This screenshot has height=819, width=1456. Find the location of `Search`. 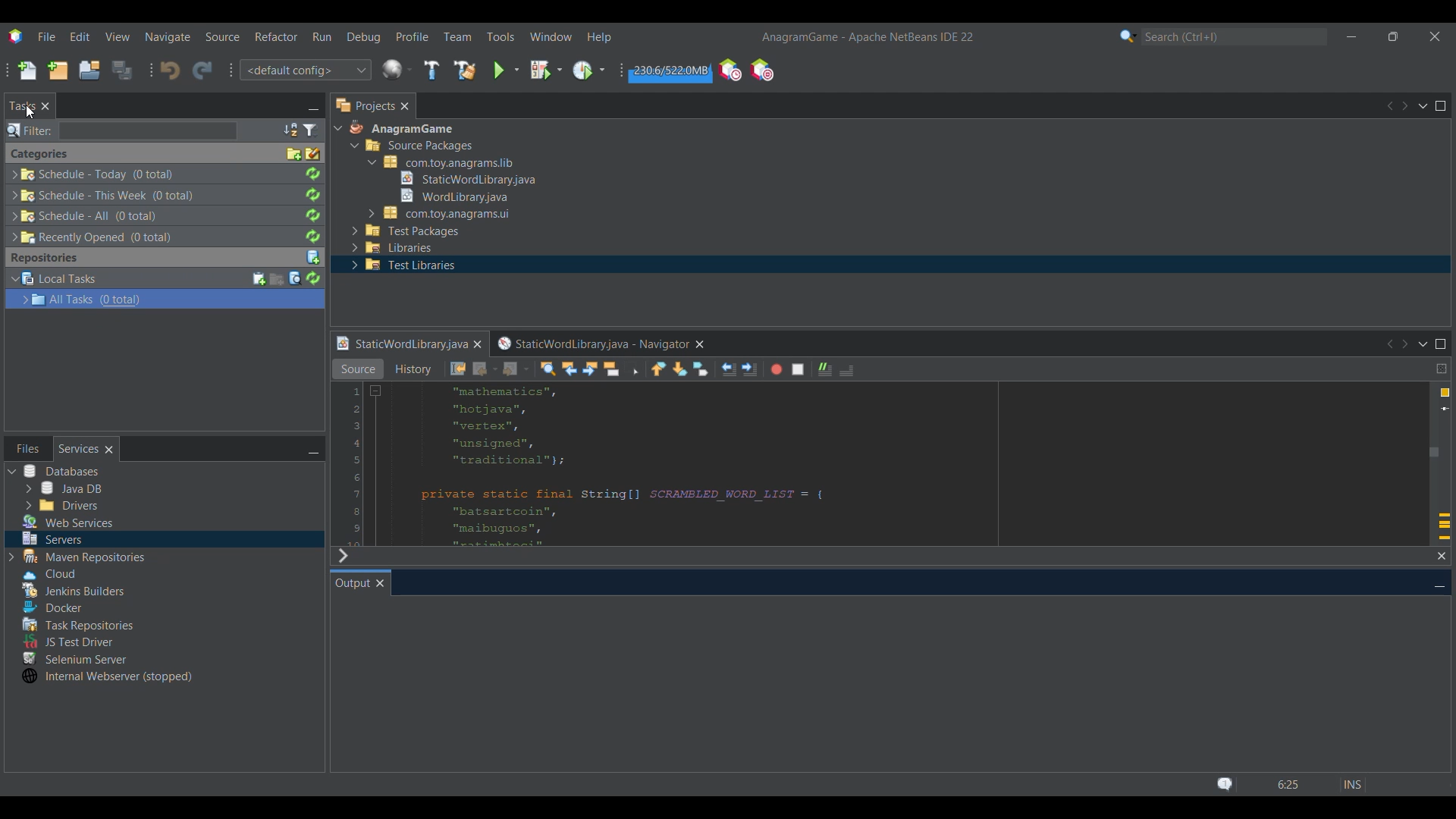

Search is located at coordinates (1234, 36).